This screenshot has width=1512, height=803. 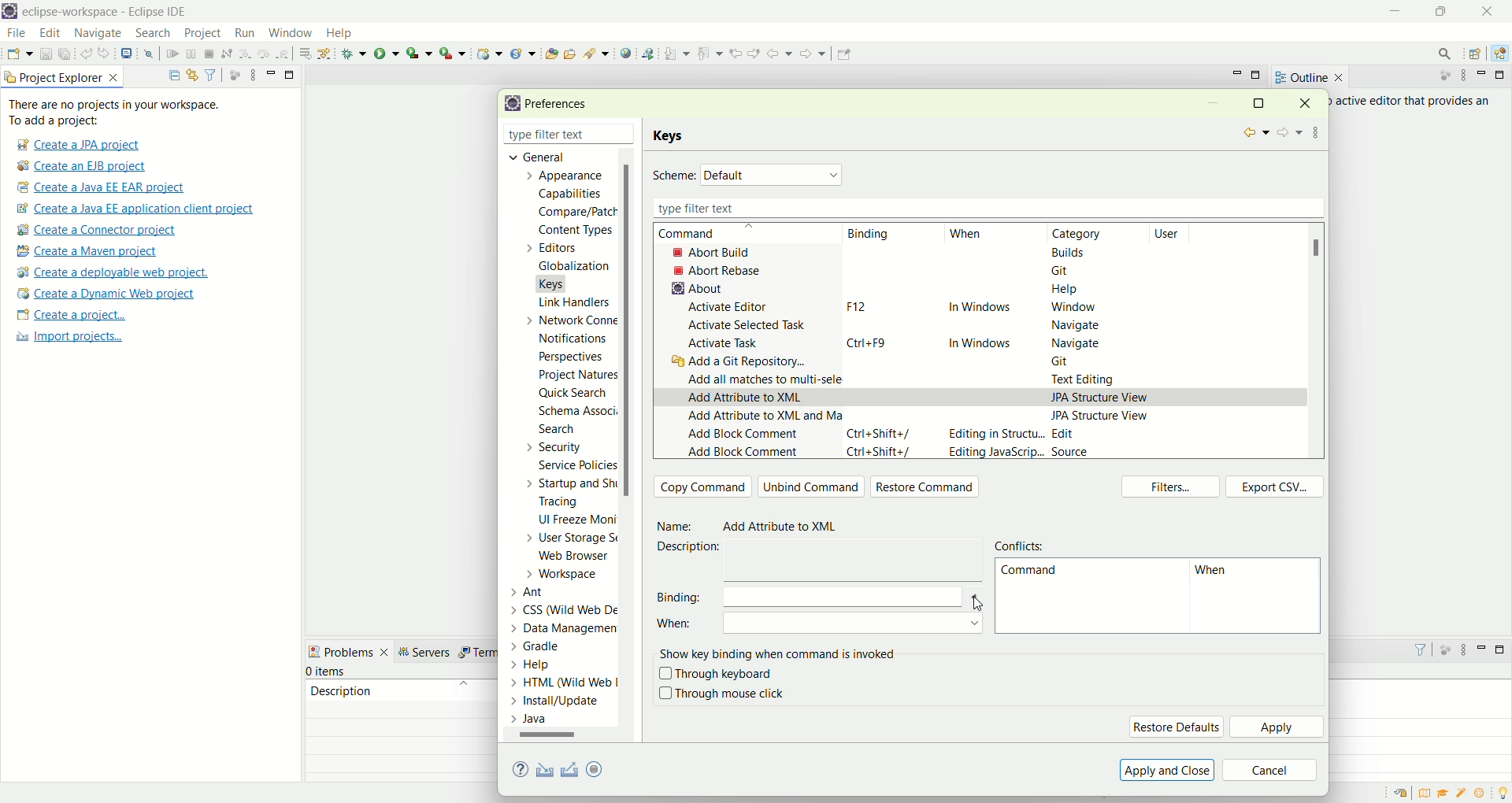 I want to click on maximize, so click(x=1445, y=11).